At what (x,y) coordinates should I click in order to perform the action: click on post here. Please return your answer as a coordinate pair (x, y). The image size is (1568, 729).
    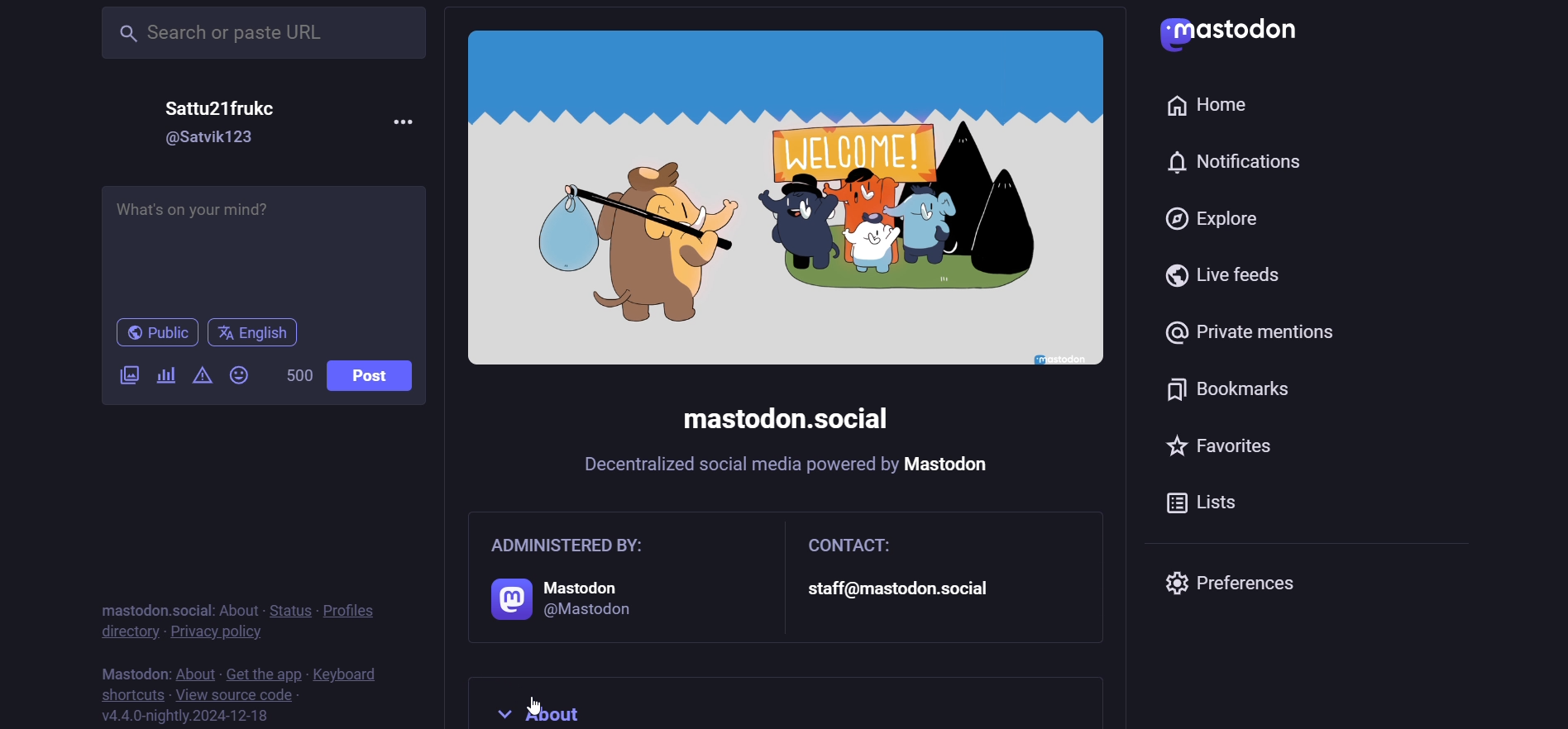
    Looking at the image, I should click on (261, 243).